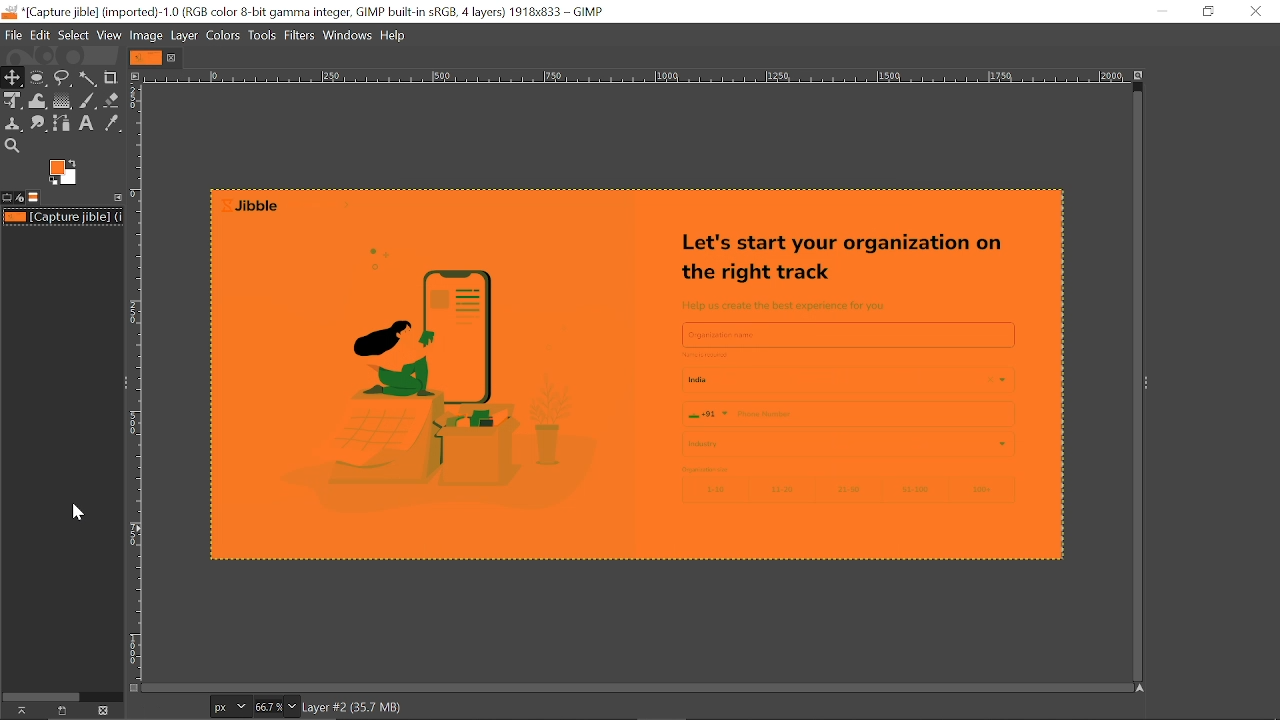 The image size is (1280, 720). I want to click on Image info, so click(410, 706).